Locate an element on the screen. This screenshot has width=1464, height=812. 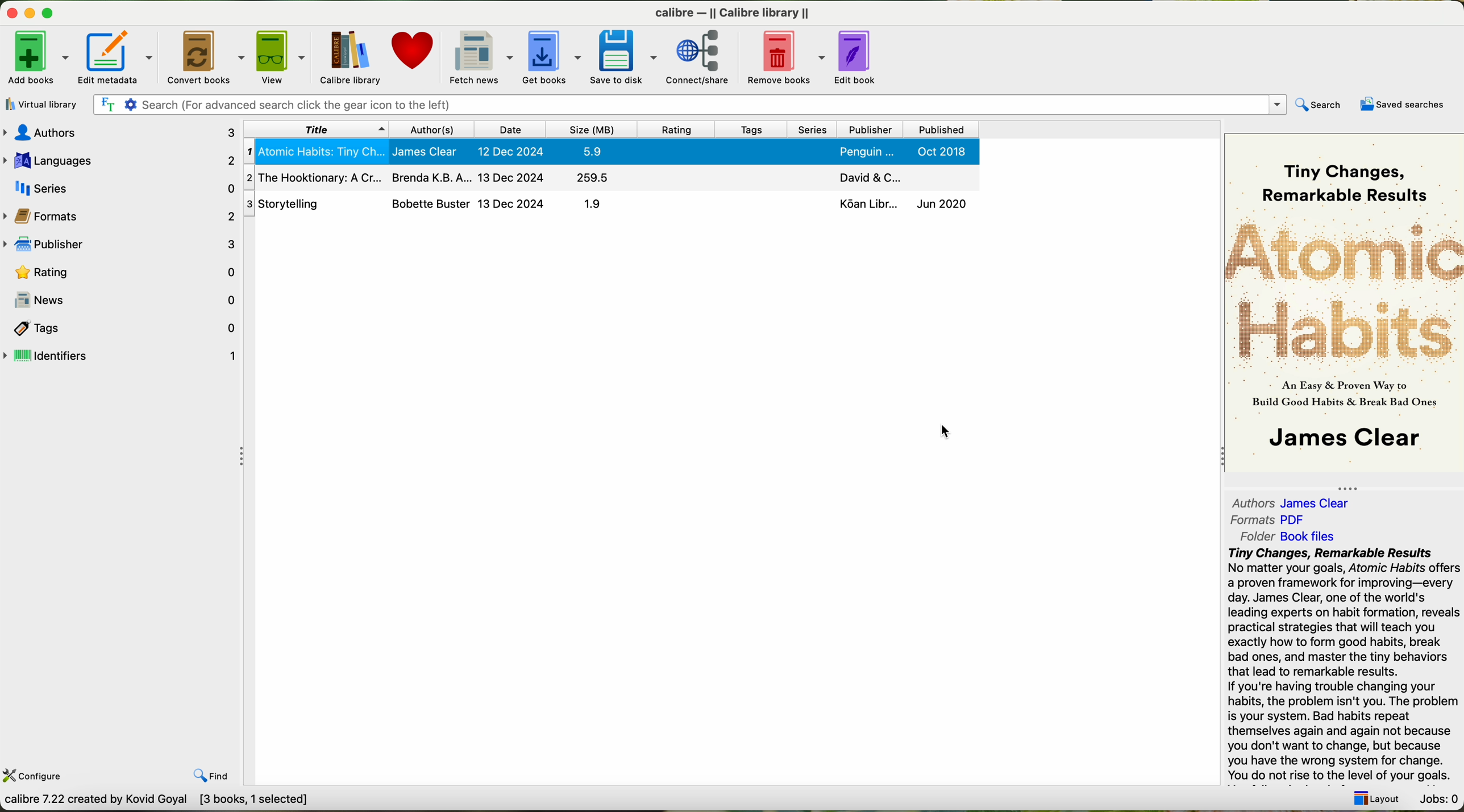
Atomic Habits is located at coordinates (1344, 291).